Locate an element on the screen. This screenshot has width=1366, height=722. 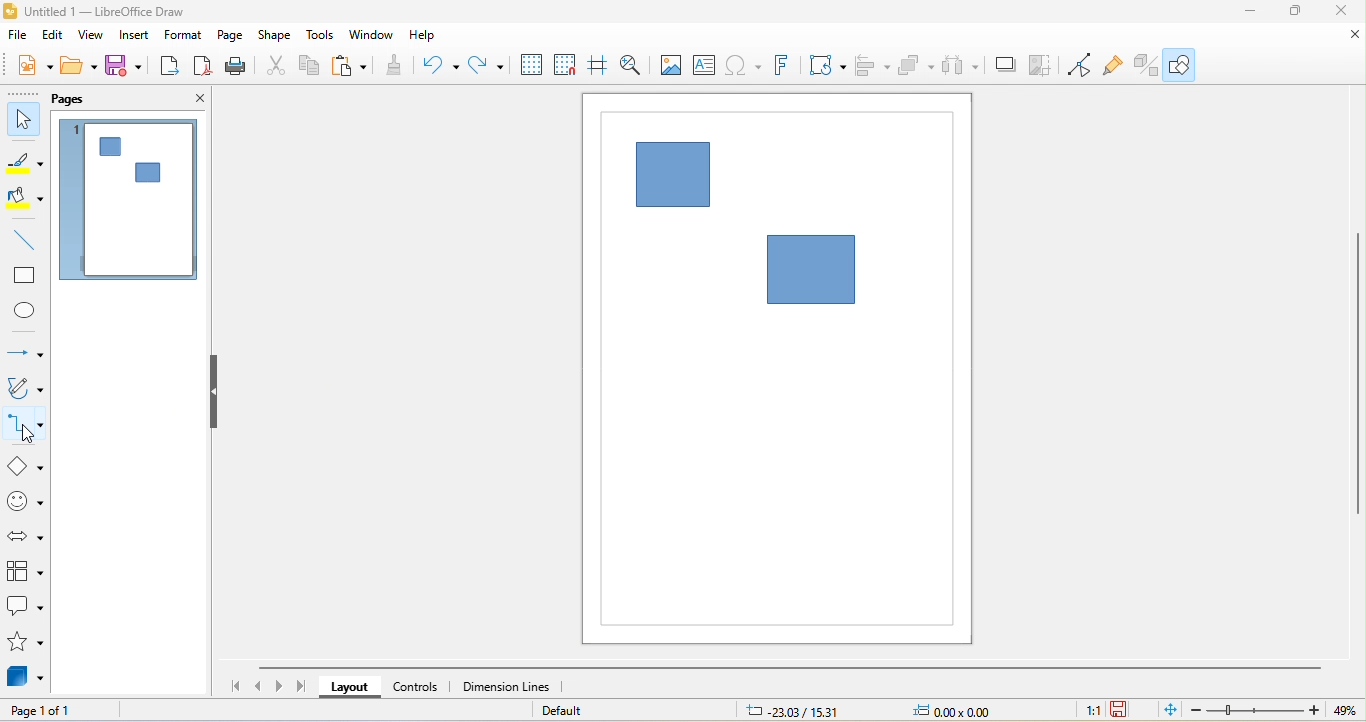
toggle point edit mode is located at coordinates (1084, 64).